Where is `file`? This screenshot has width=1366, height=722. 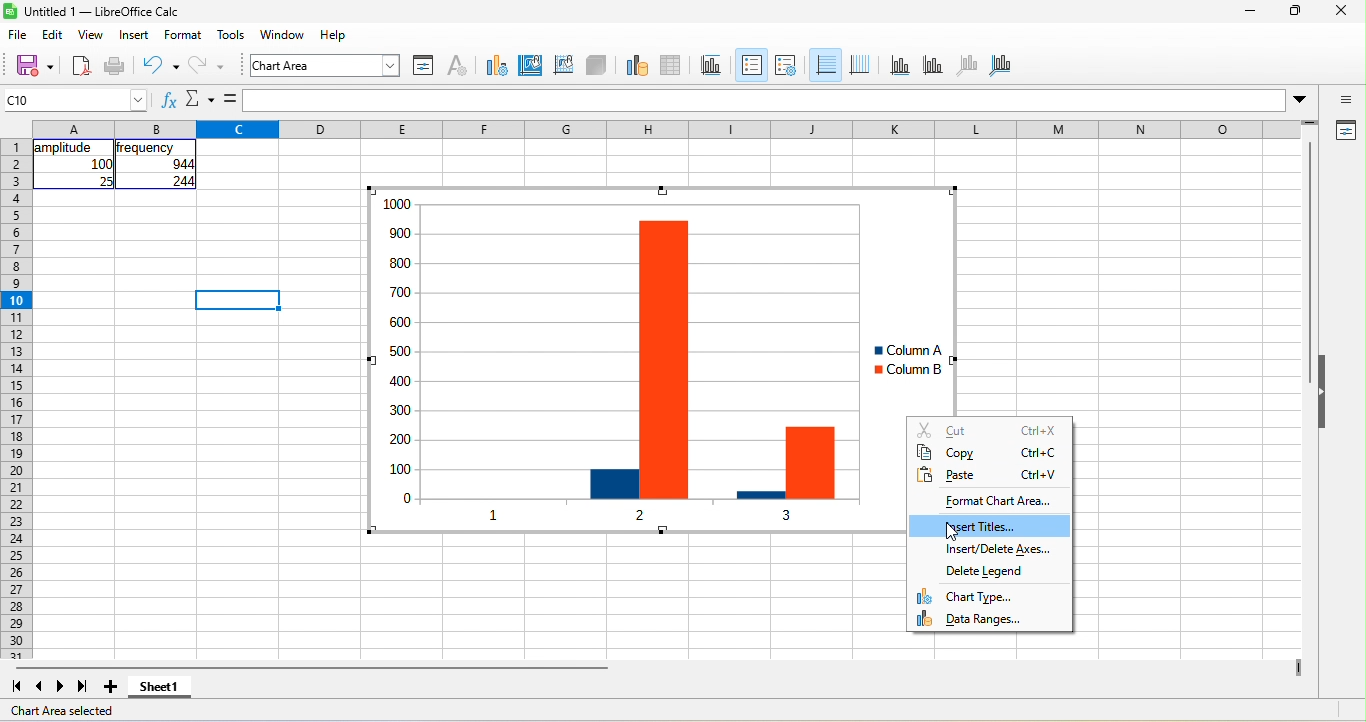 file is located at coordinates (18, 34).